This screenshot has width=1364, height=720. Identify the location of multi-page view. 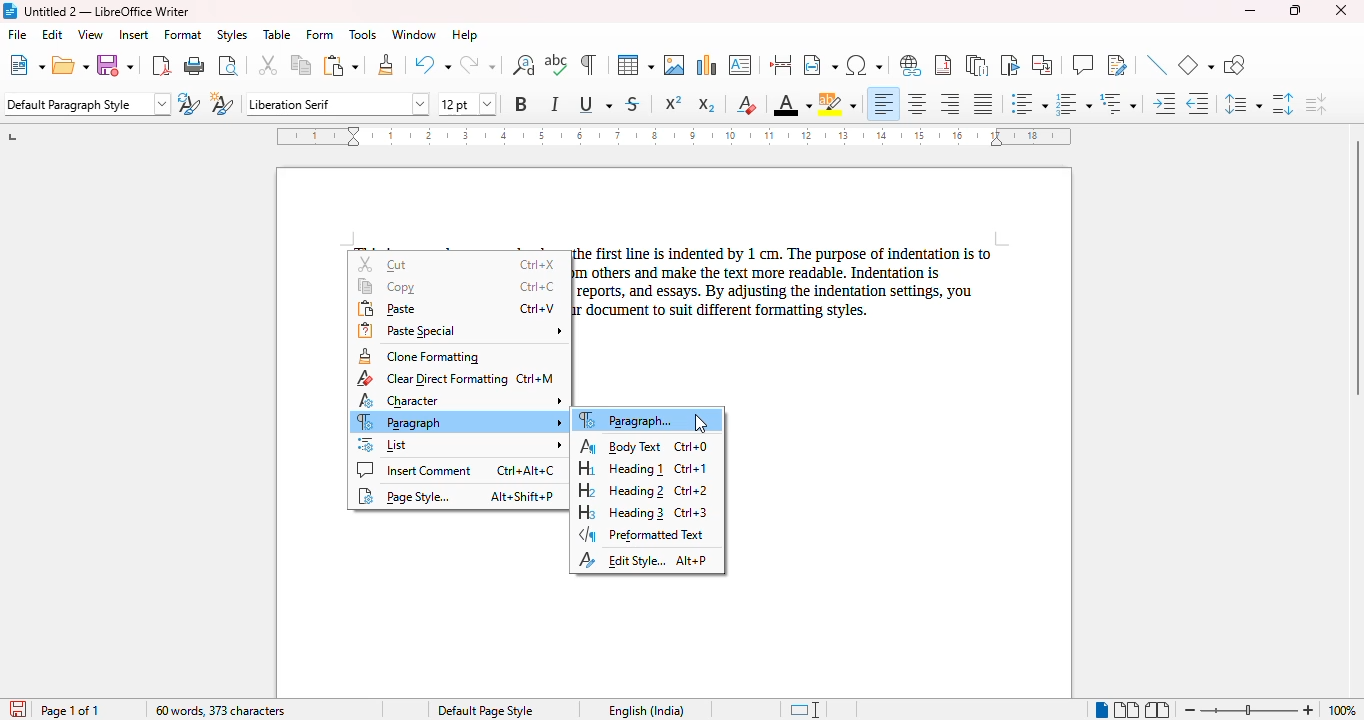
(1127, 709).